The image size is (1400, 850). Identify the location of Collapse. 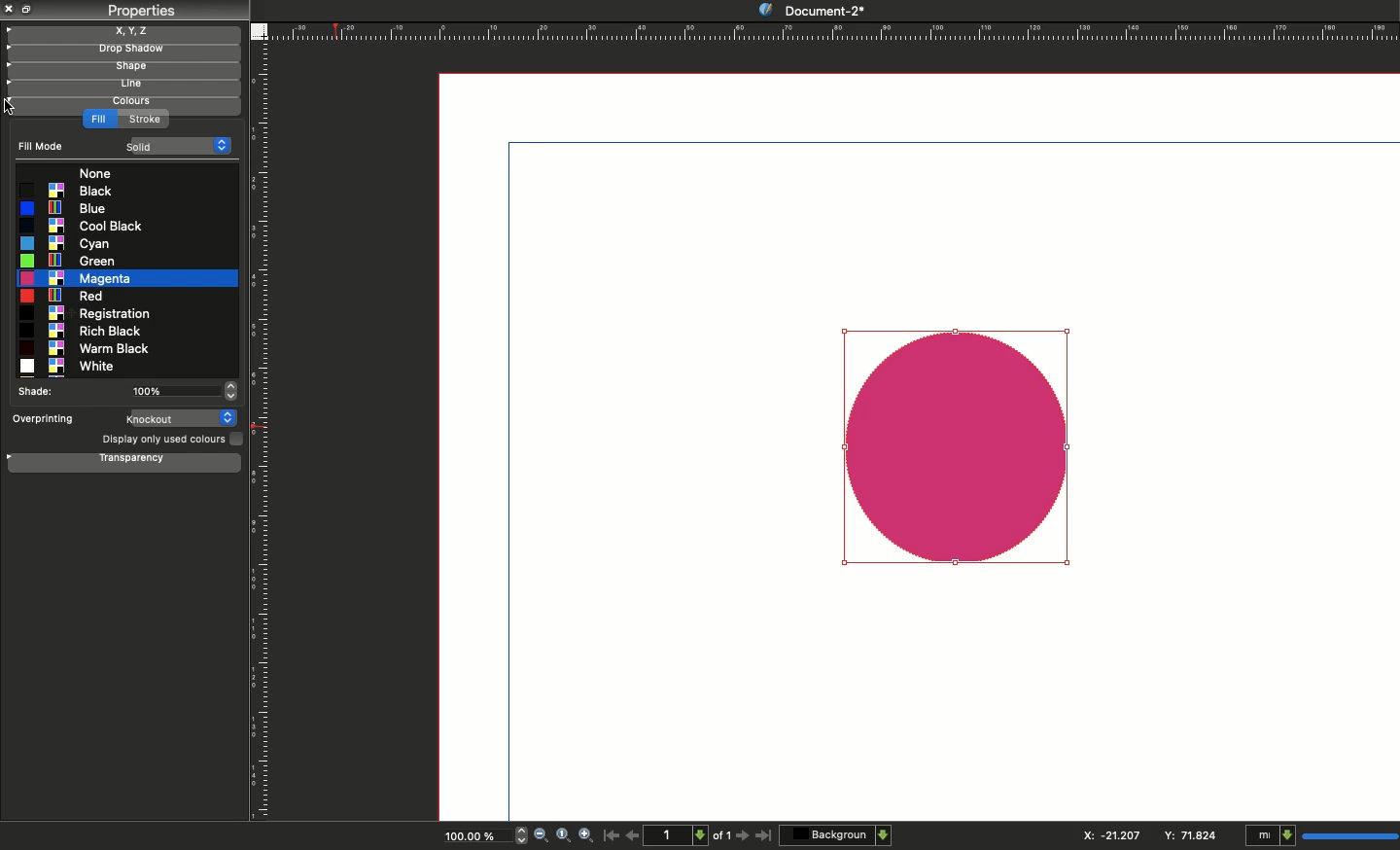
(29, 9).